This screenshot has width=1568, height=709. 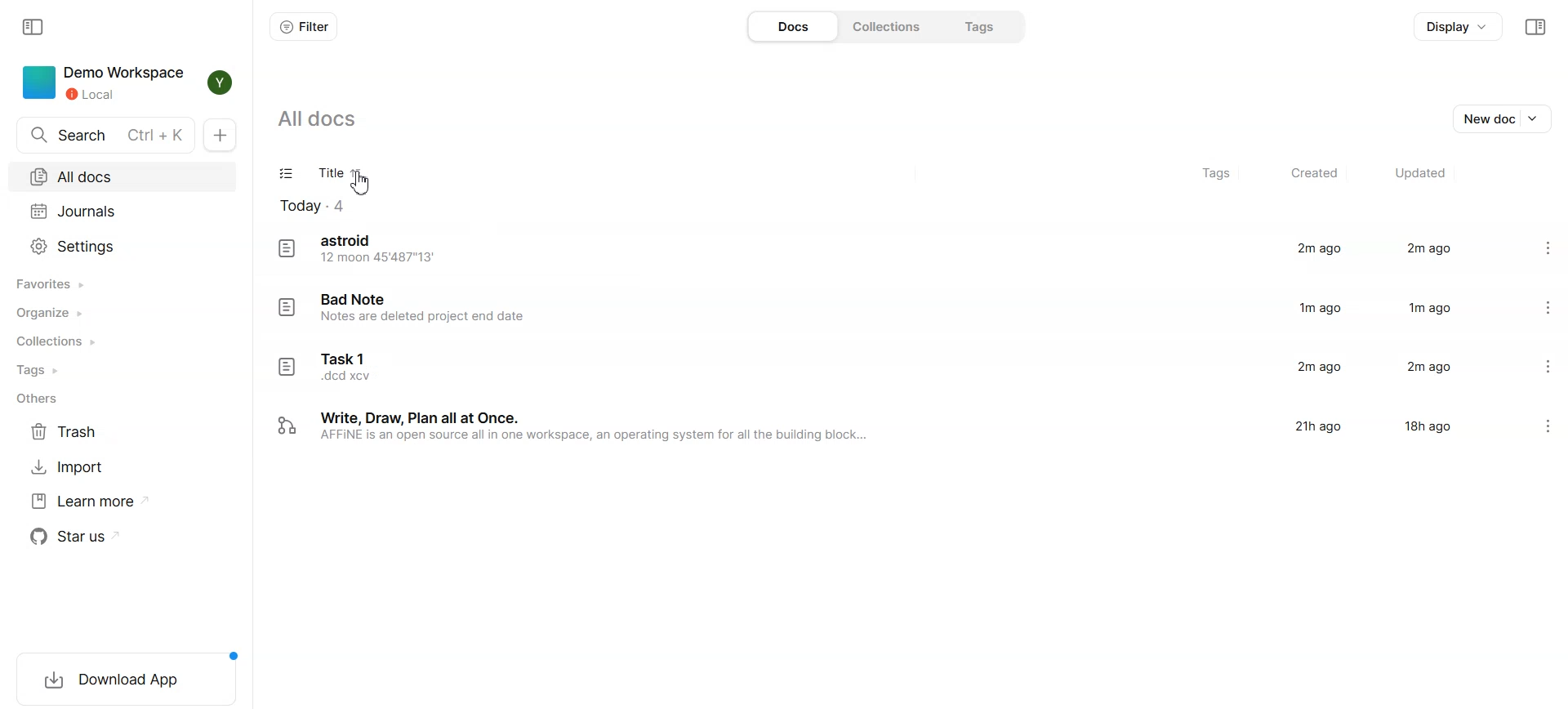 I want to click on Docs, so click(x=793, y=25).